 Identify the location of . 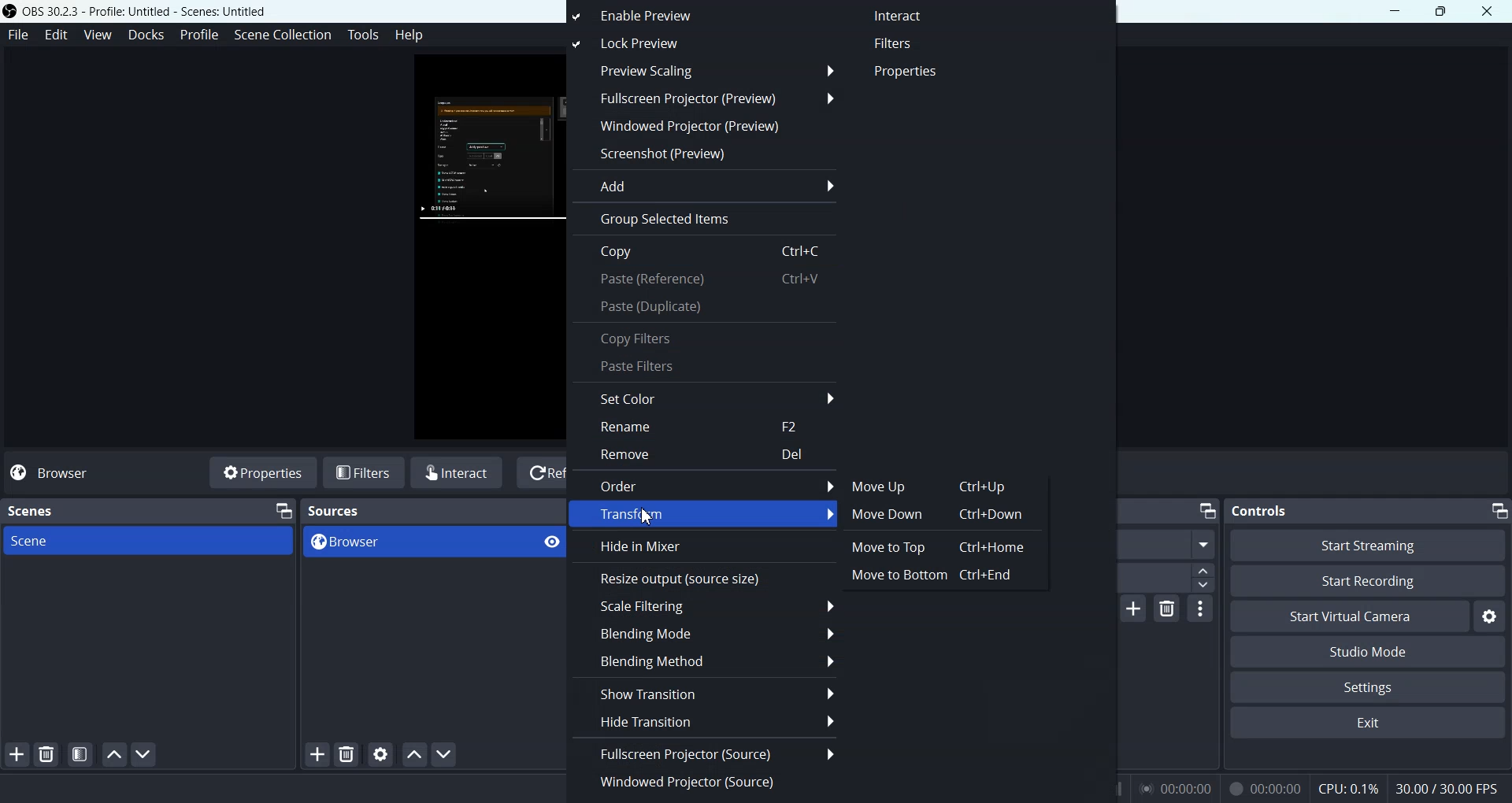
(704, 720).